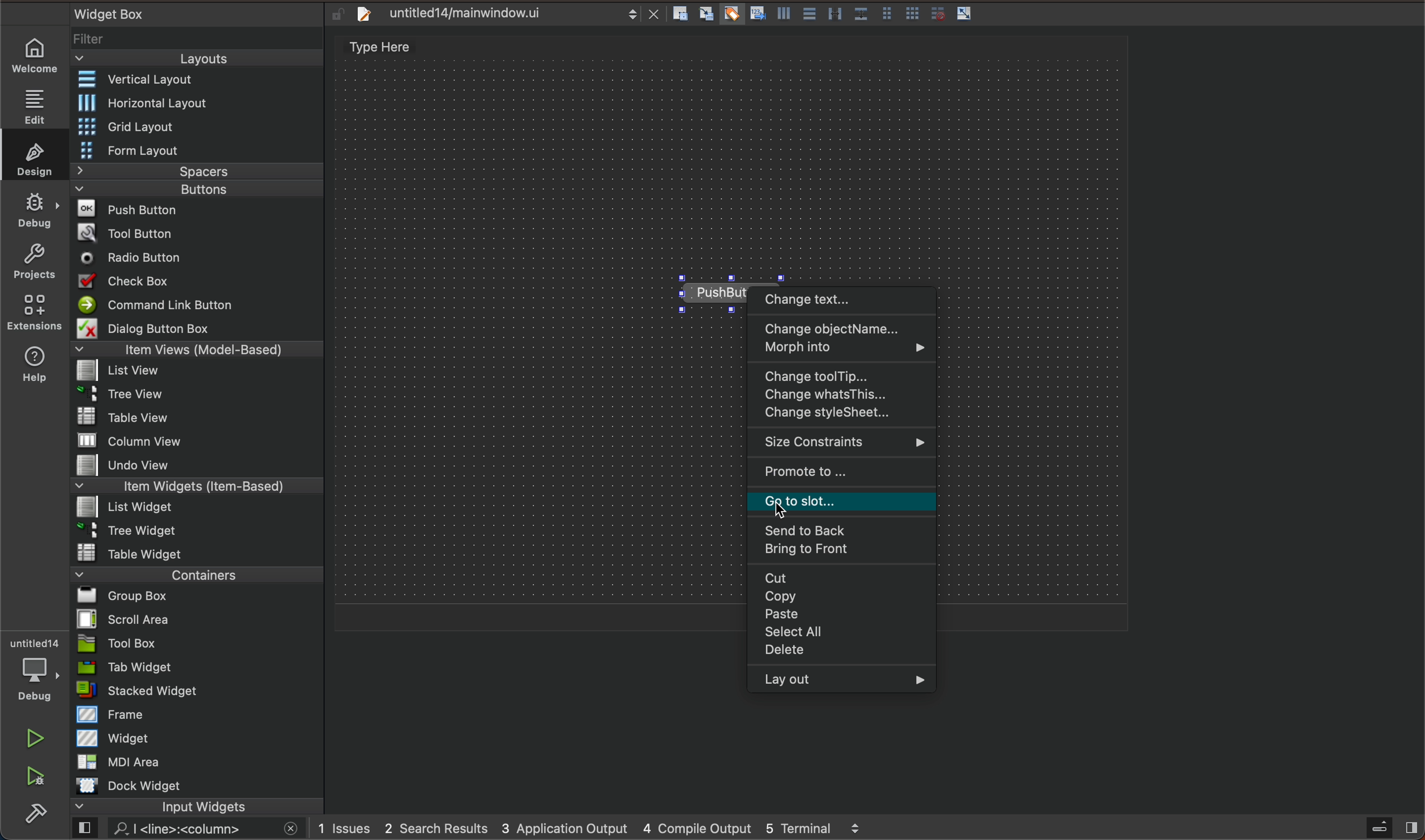  What do you see at coordinates (966, 14) in the screenshot?
I see `` at bounding box center [966, 14].